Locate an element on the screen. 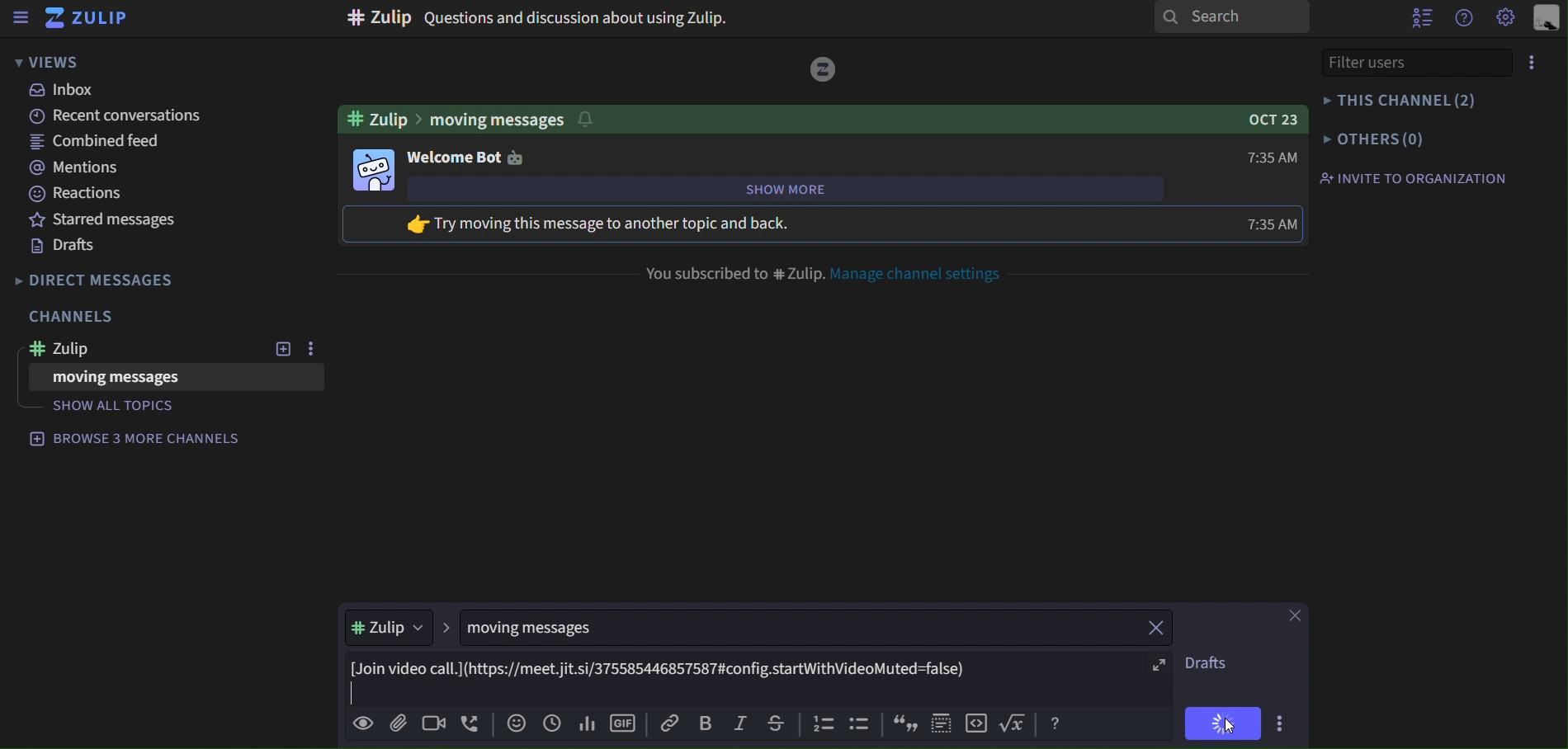 This screenshot has height=749, width=1568. #Zulip is located at coordinates (132, 347).